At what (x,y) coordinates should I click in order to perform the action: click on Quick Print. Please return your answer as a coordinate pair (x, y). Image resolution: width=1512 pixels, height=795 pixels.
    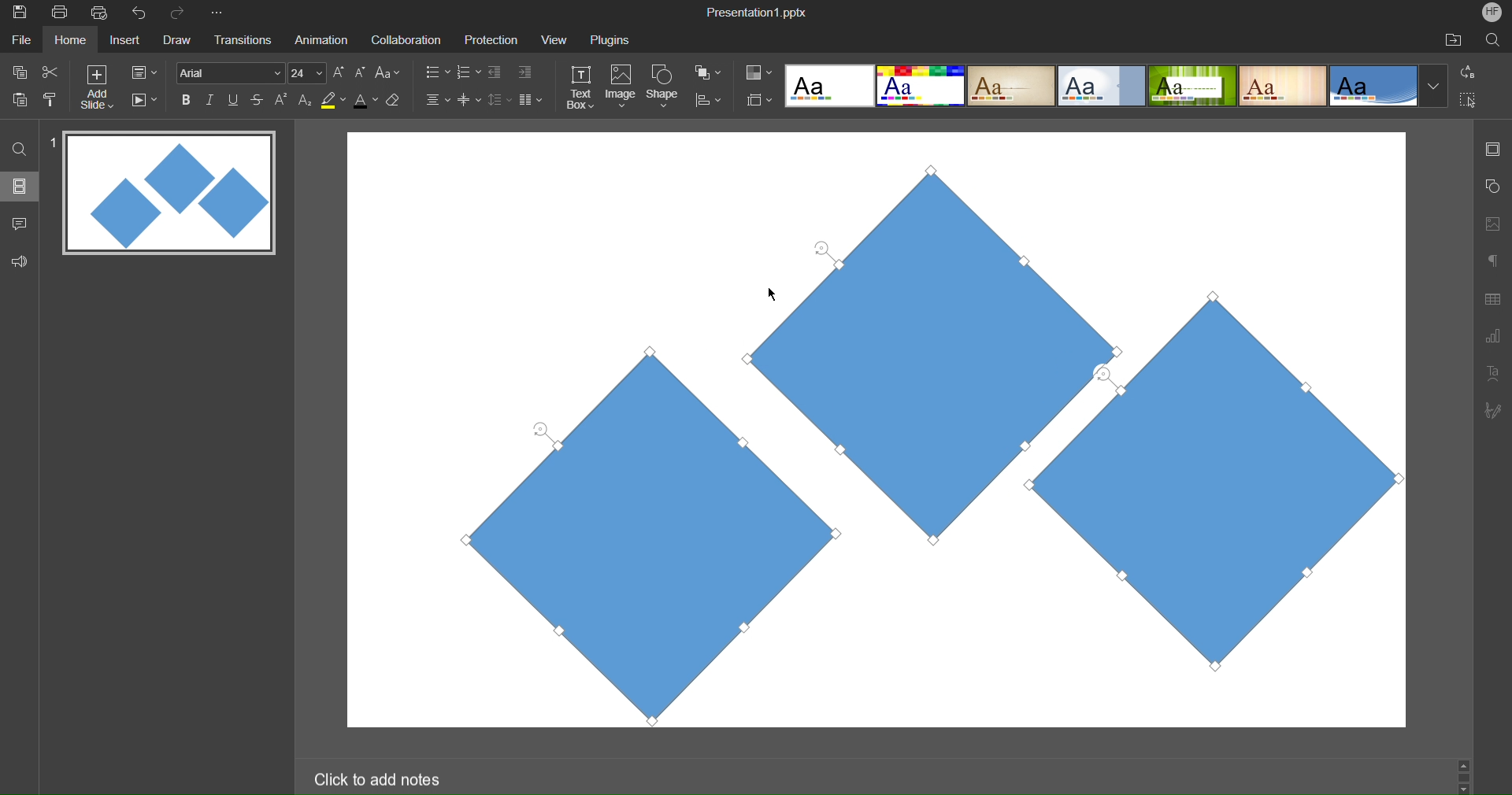
    Looking at the image, I should click on (102, 13).